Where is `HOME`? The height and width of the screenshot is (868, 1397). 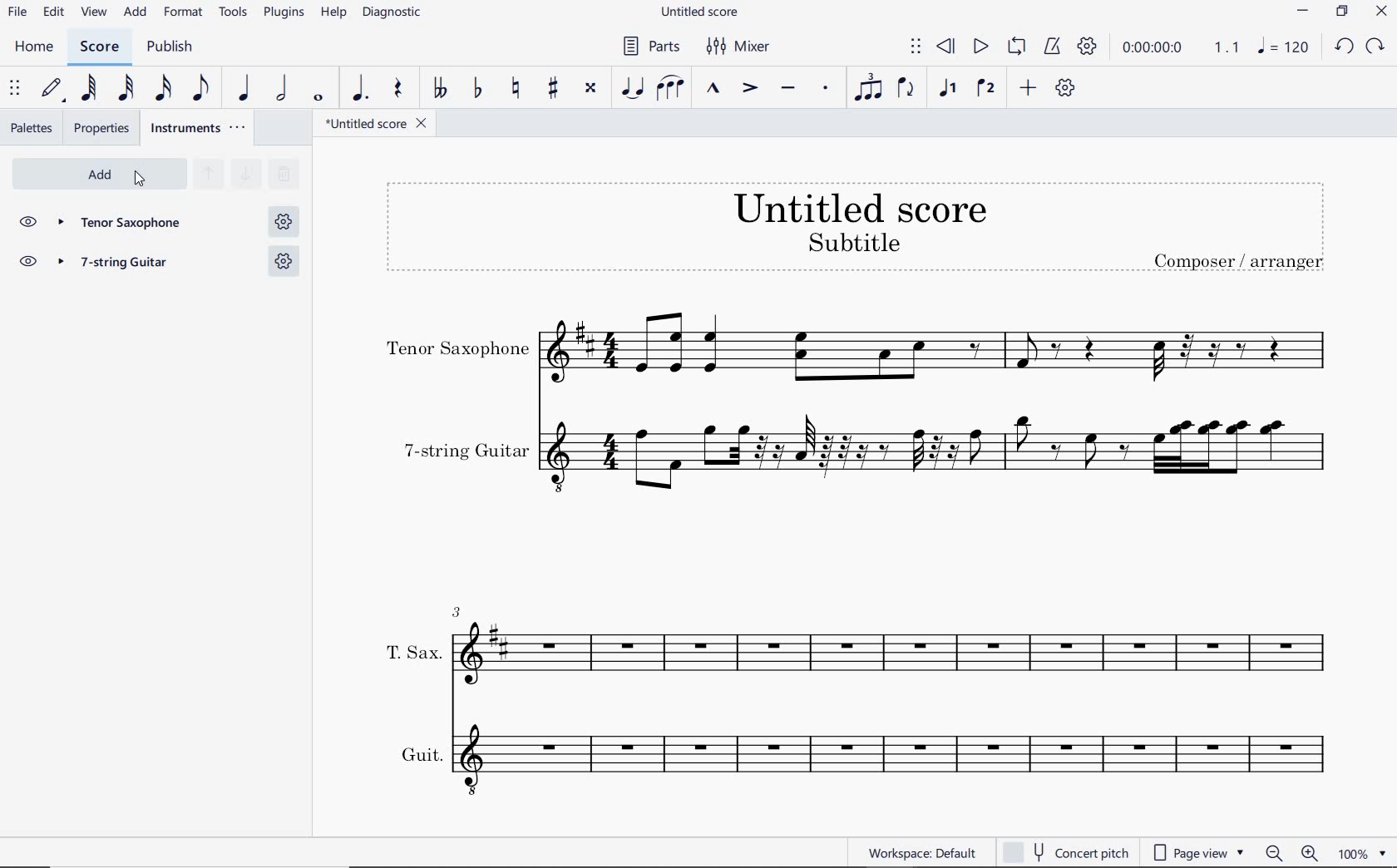 HOME is located at coordinates (35, 48).